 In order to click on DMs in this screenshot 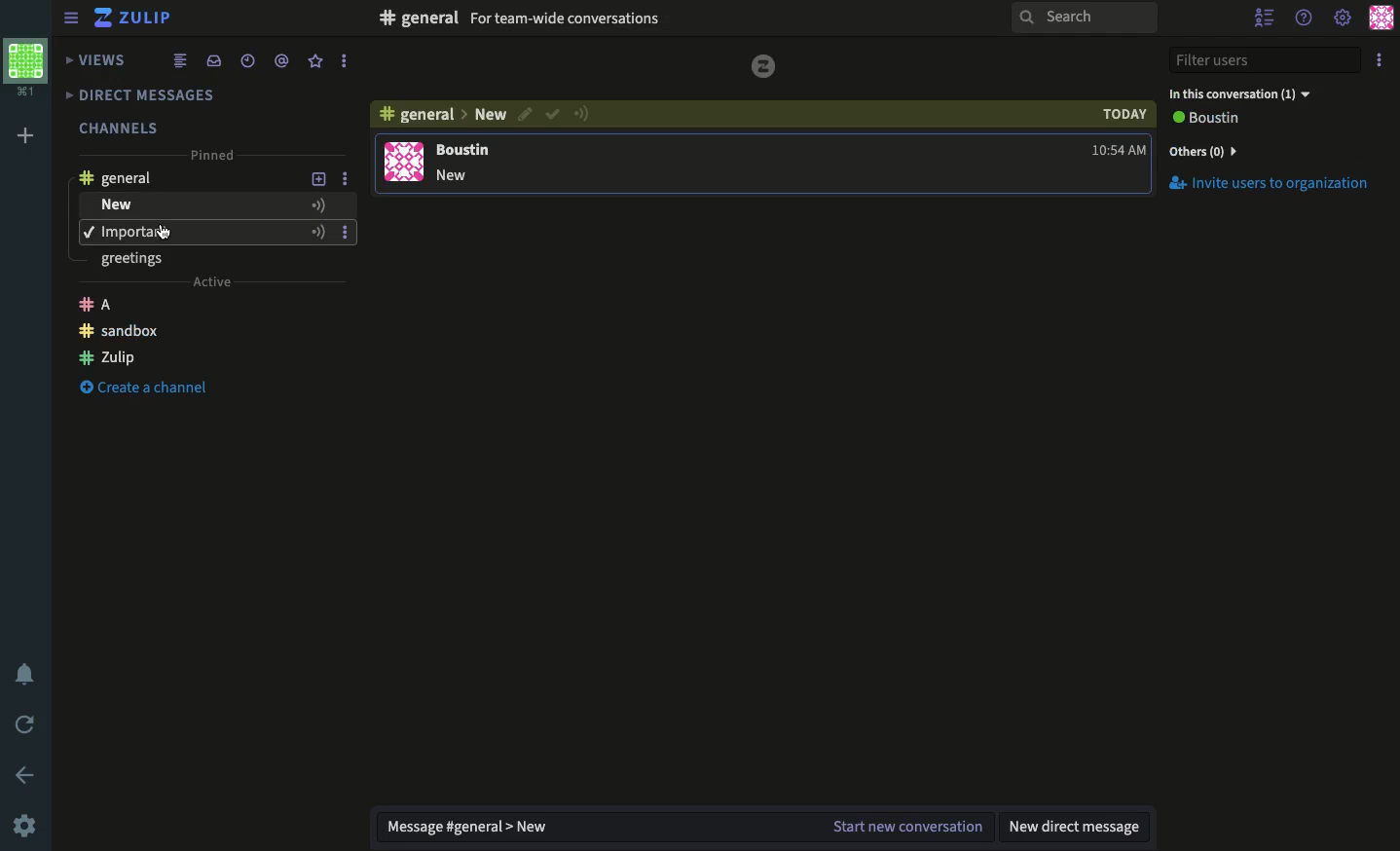, I will do `click(153, 95)`.